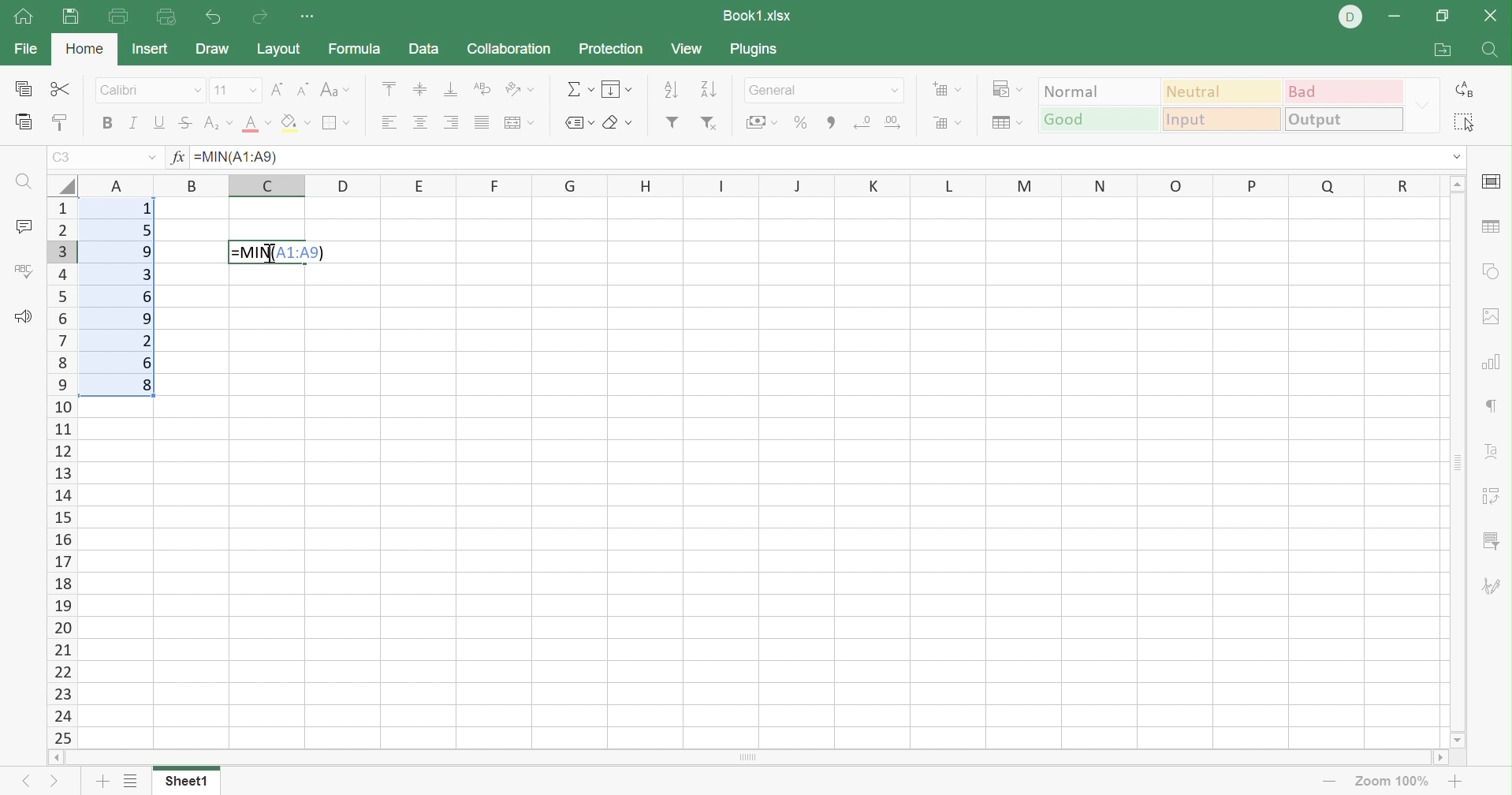 This screenshot has height=795, width=1512. I want to click on =MIN(A1:A9), so click(240, 157).